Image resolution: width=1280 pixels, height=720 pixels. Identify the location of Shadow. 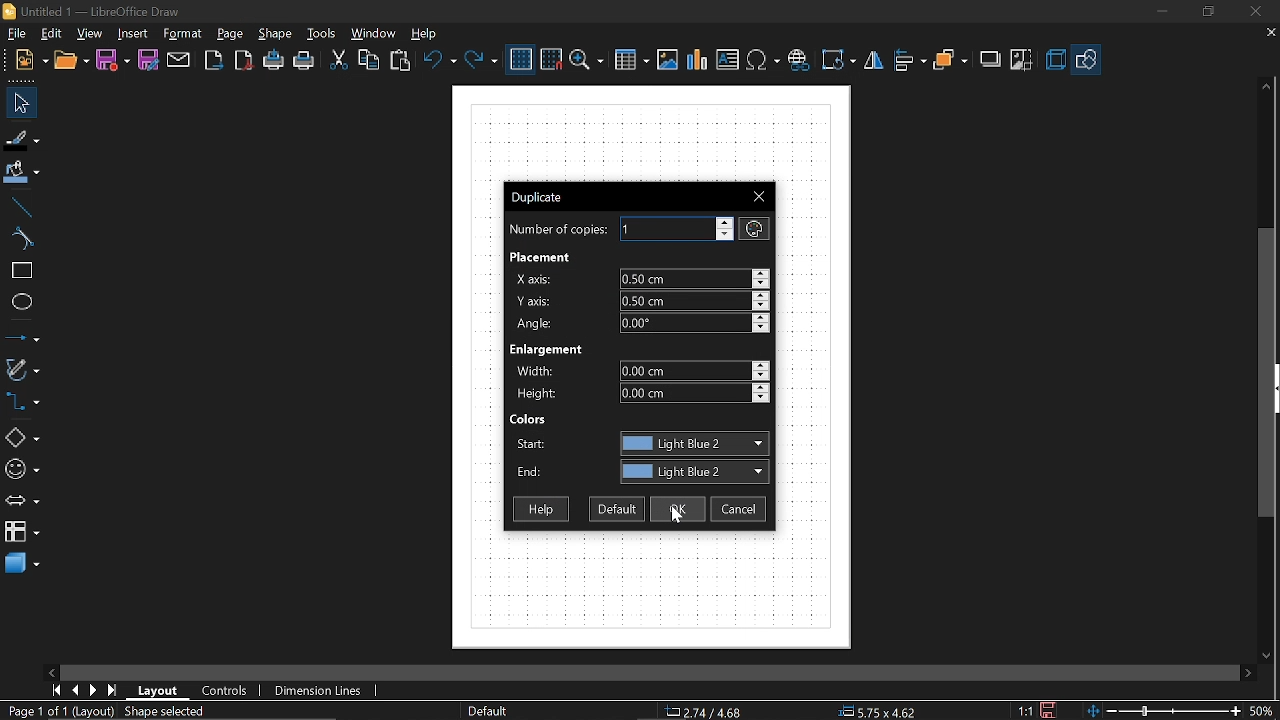
(992, 59).